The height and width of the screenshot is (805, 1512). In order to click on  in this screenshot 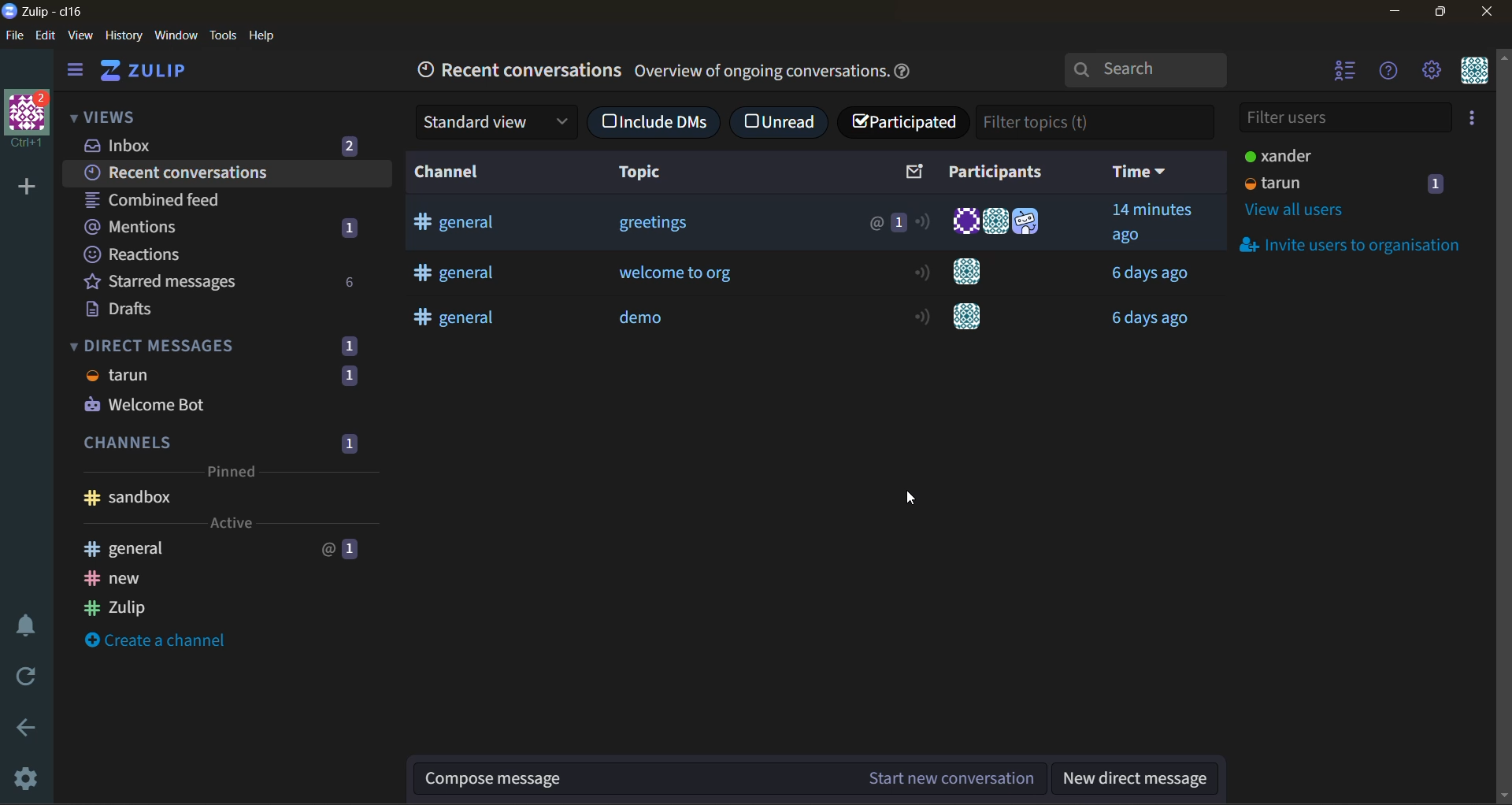, I will do `click(969, 316)`.